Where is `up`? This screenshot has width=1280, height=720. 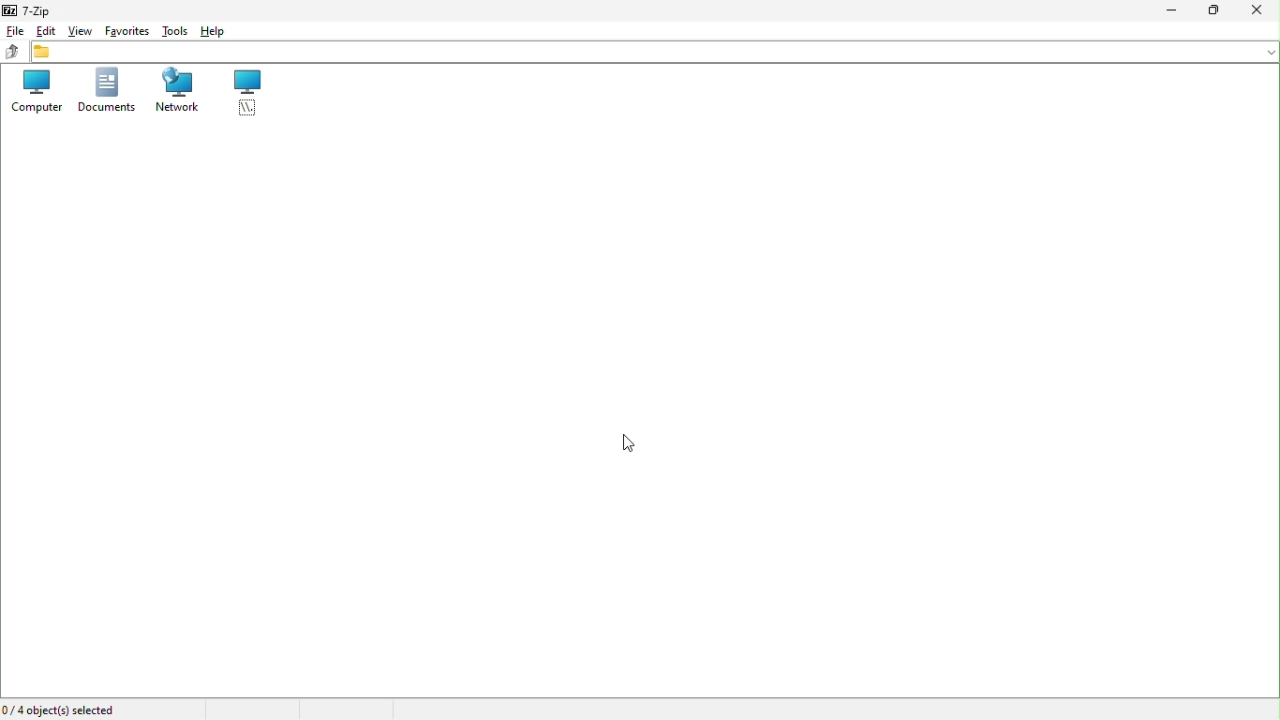 up is located at coordinates (11, 51).